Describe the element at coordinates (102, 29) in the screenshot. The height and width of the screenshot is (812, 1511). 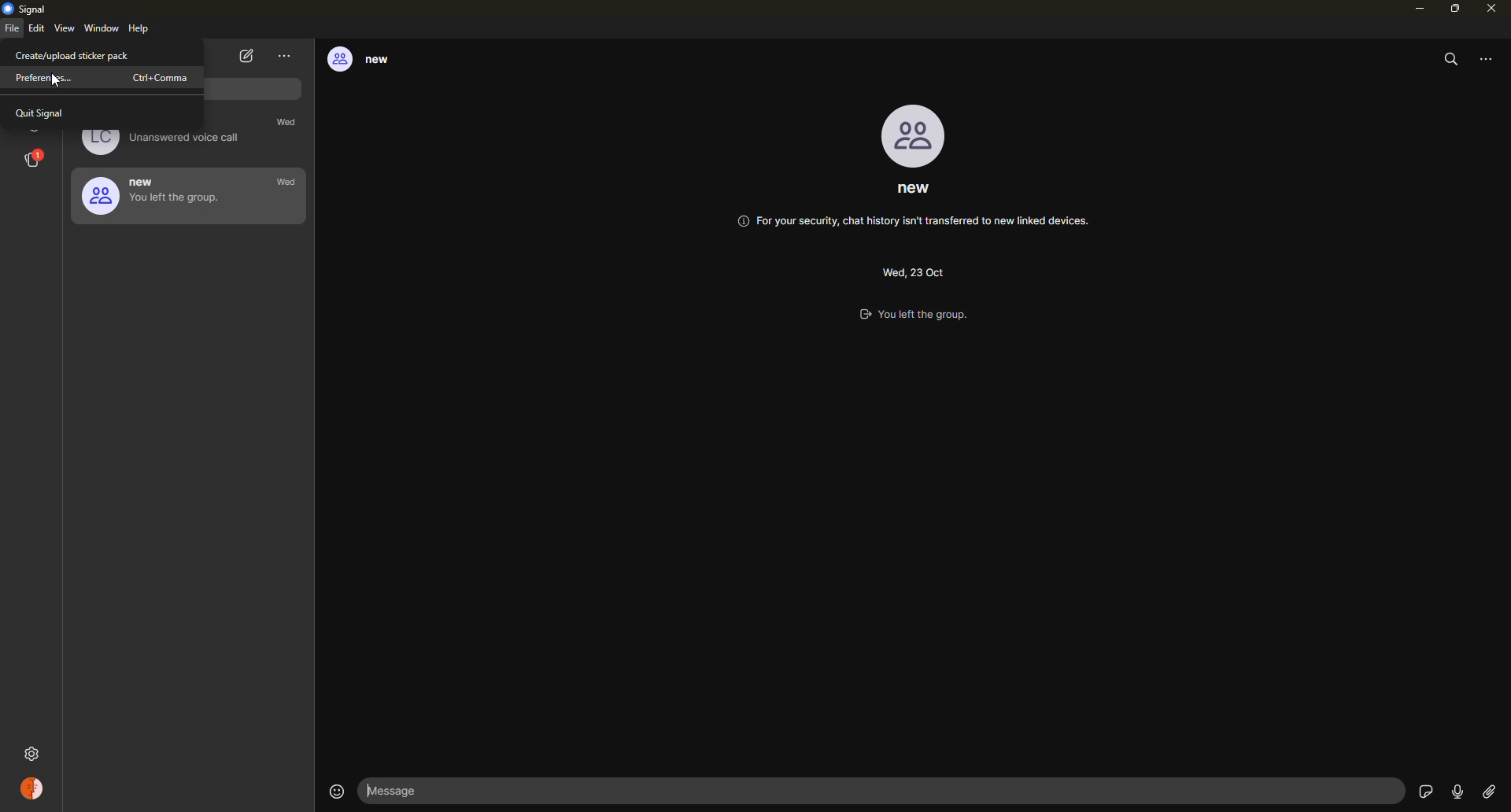
I see `window` at that location.